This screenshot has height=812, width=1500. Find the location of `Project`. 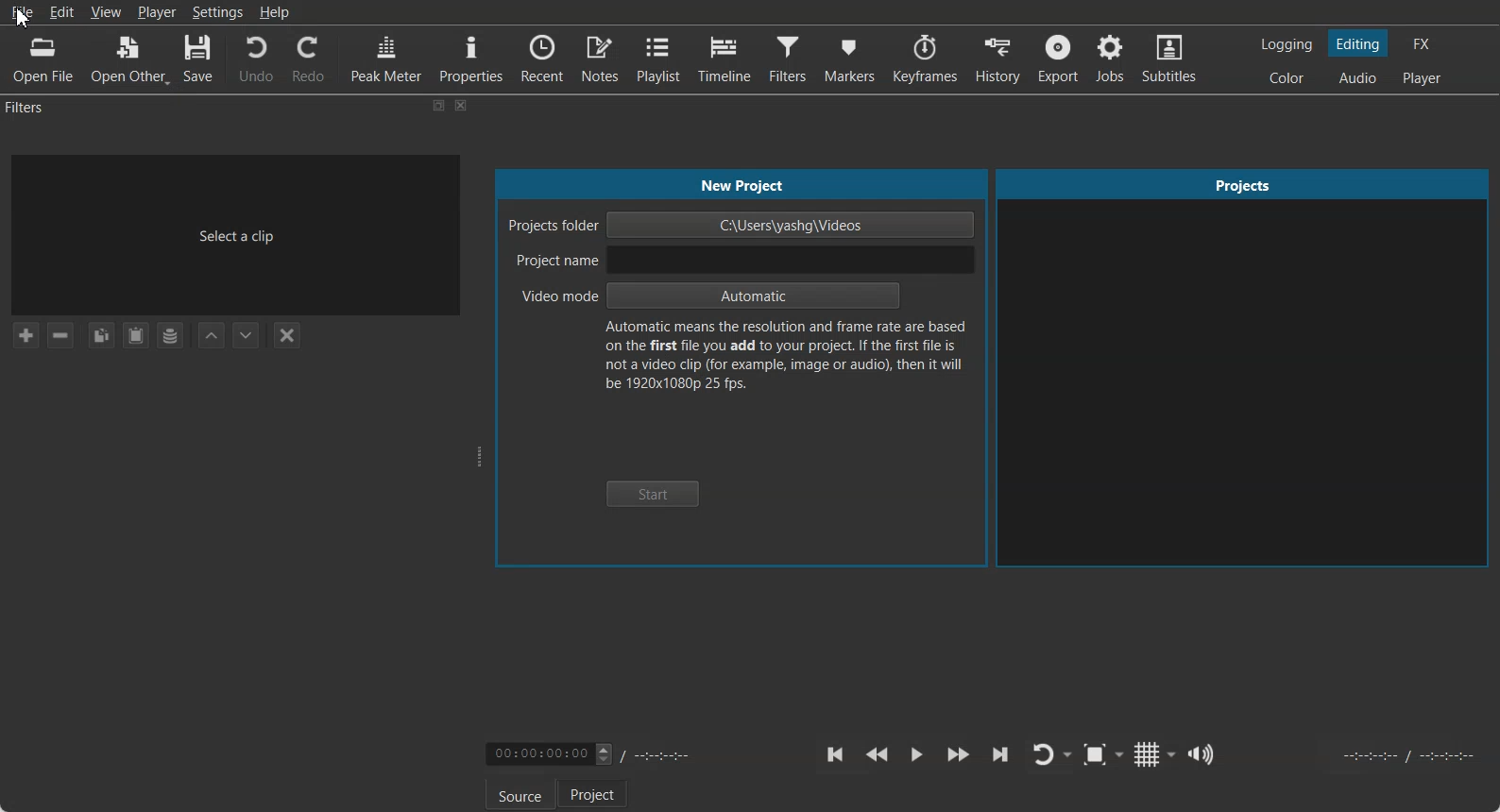

Project is located at coordinates (594, 793).